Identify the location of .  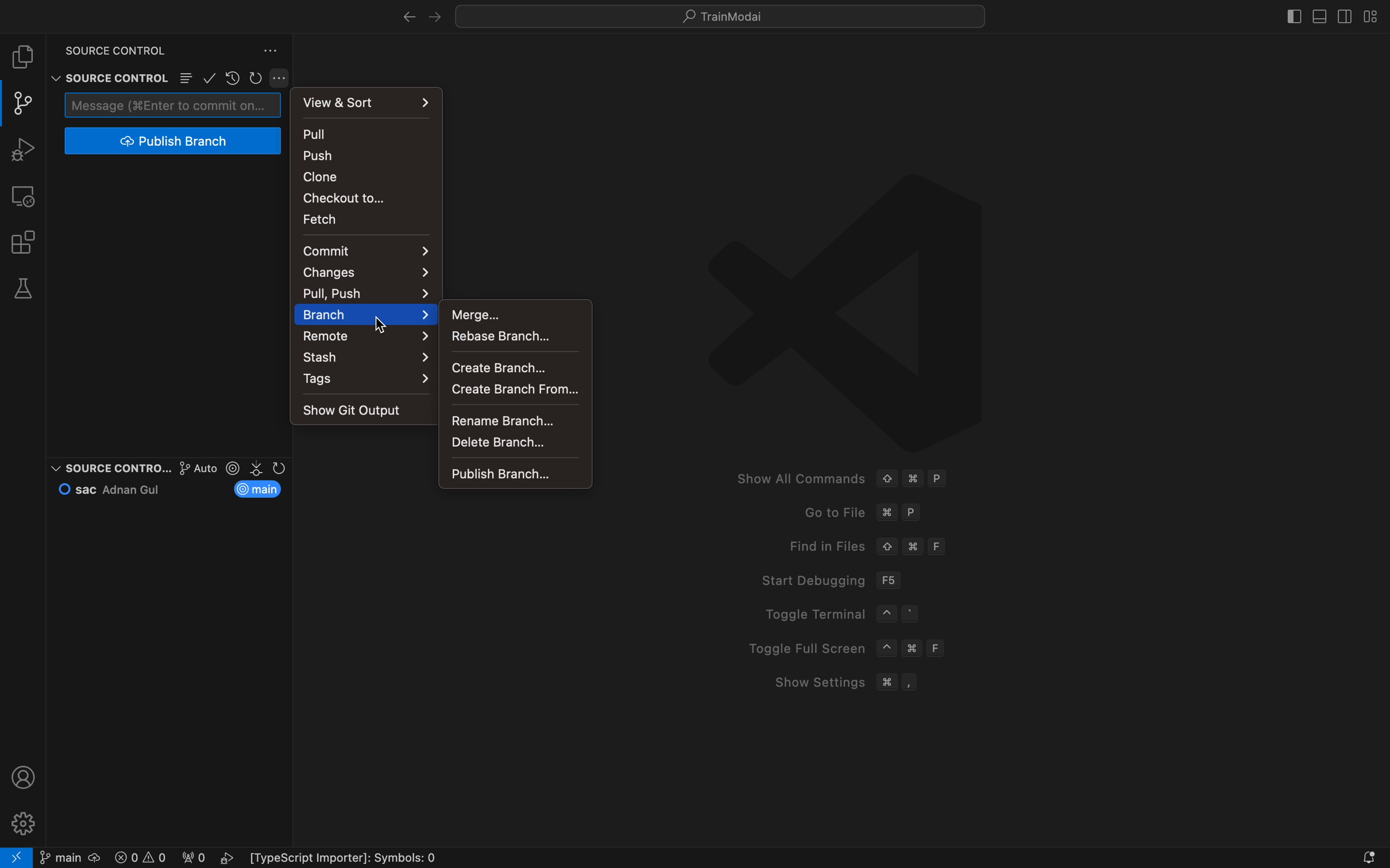
(359, 410).